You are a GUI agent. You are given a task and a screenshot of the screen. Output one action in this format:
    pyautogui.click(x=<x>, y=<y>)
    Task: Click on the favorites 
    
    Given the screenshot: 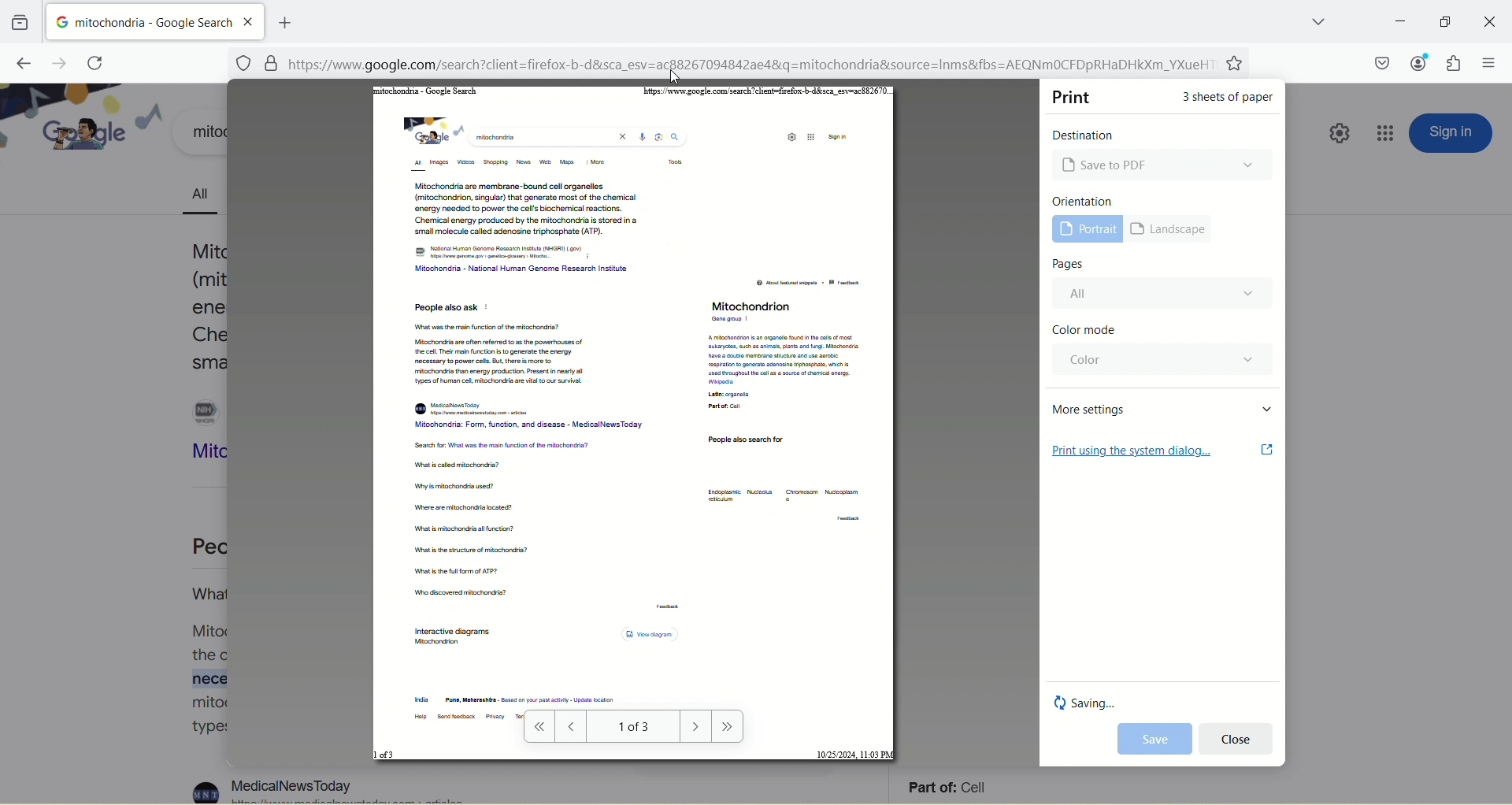 What is the action you would take?
    pyautogui.click(x=1237, y=65)
    